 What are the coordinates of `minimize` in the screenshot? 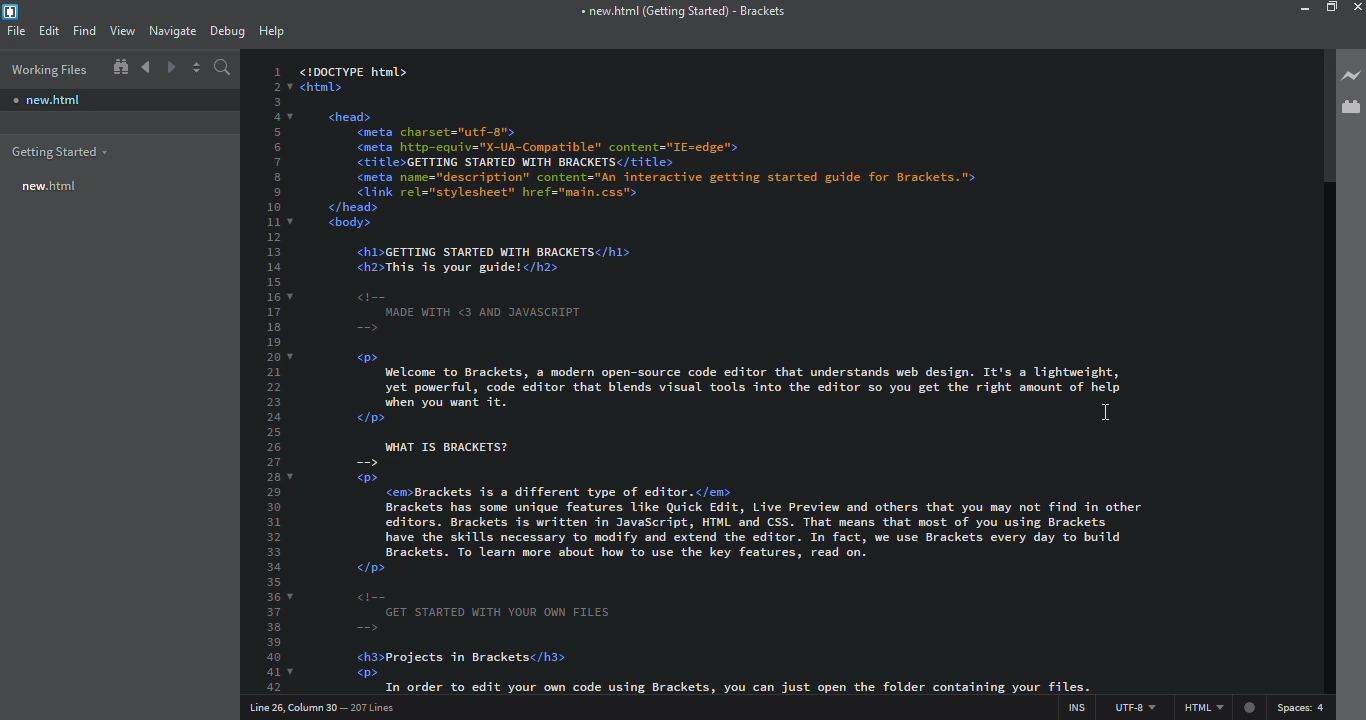 It's located at (1288, 8).